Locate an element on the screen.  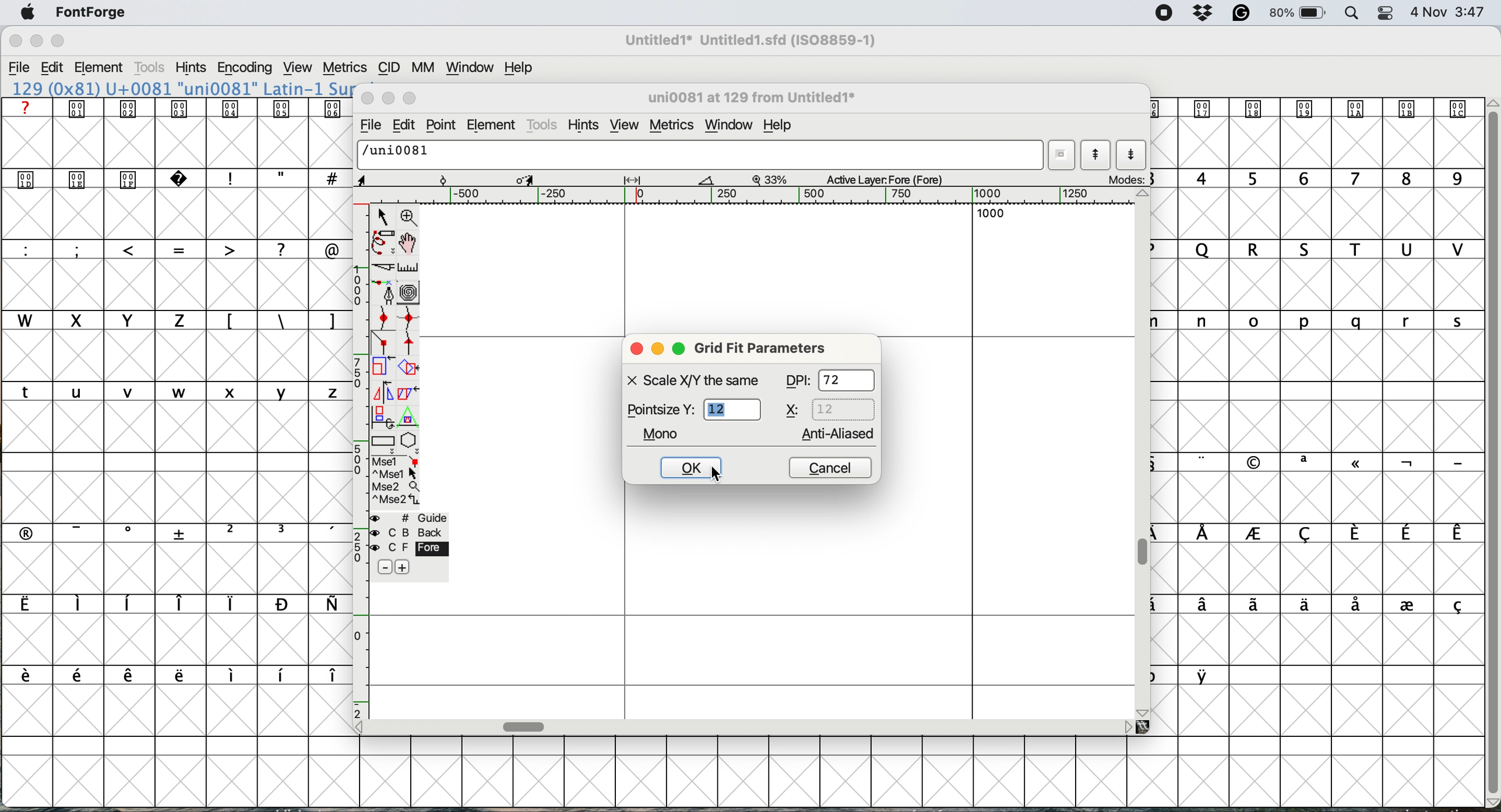
C B back is located at coordinates (413, 532).